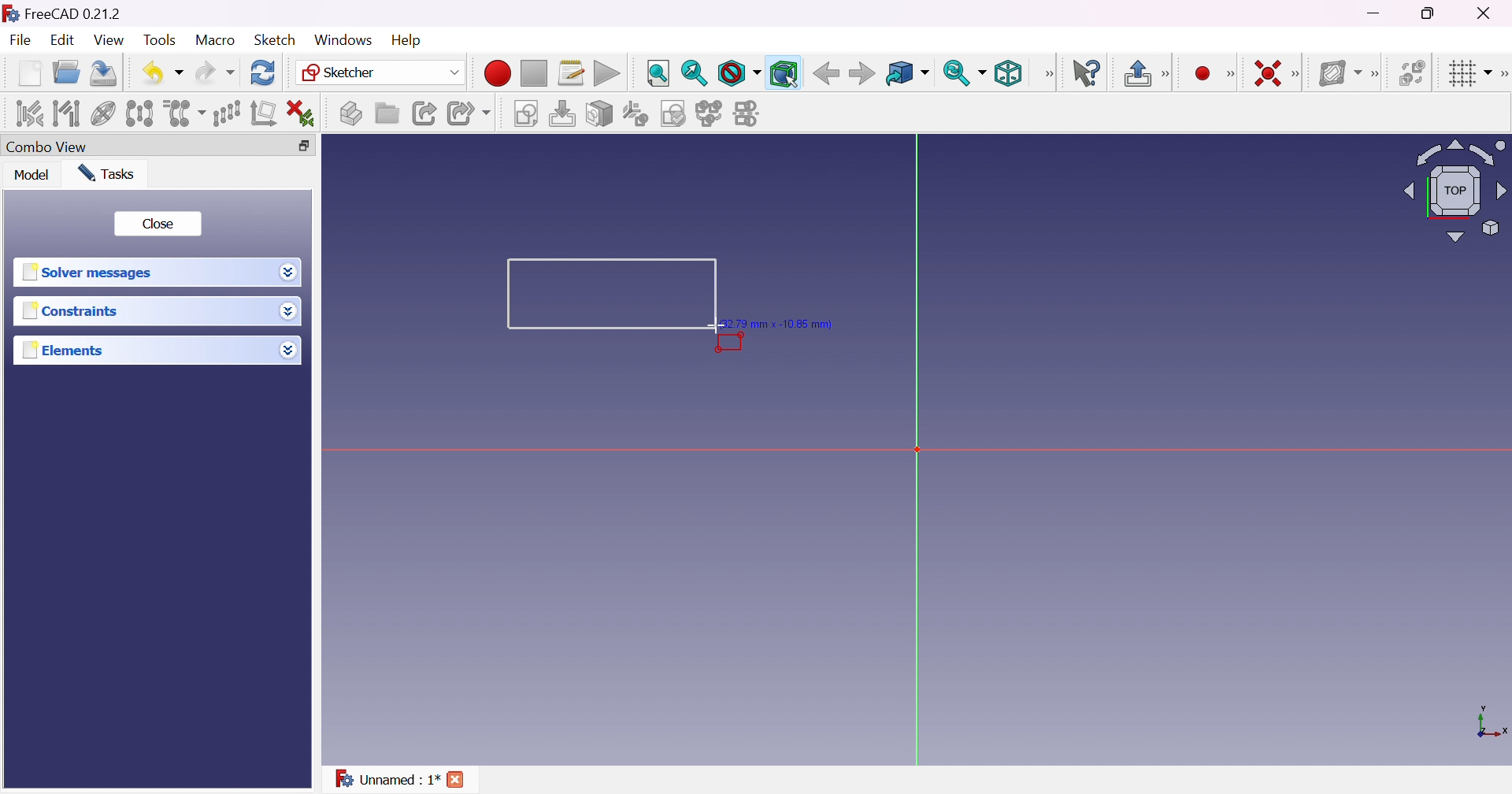  What do you see at coordinates (1201, 73) in the screenshot?
I see `Create point` at bounding box center [1201, 73].